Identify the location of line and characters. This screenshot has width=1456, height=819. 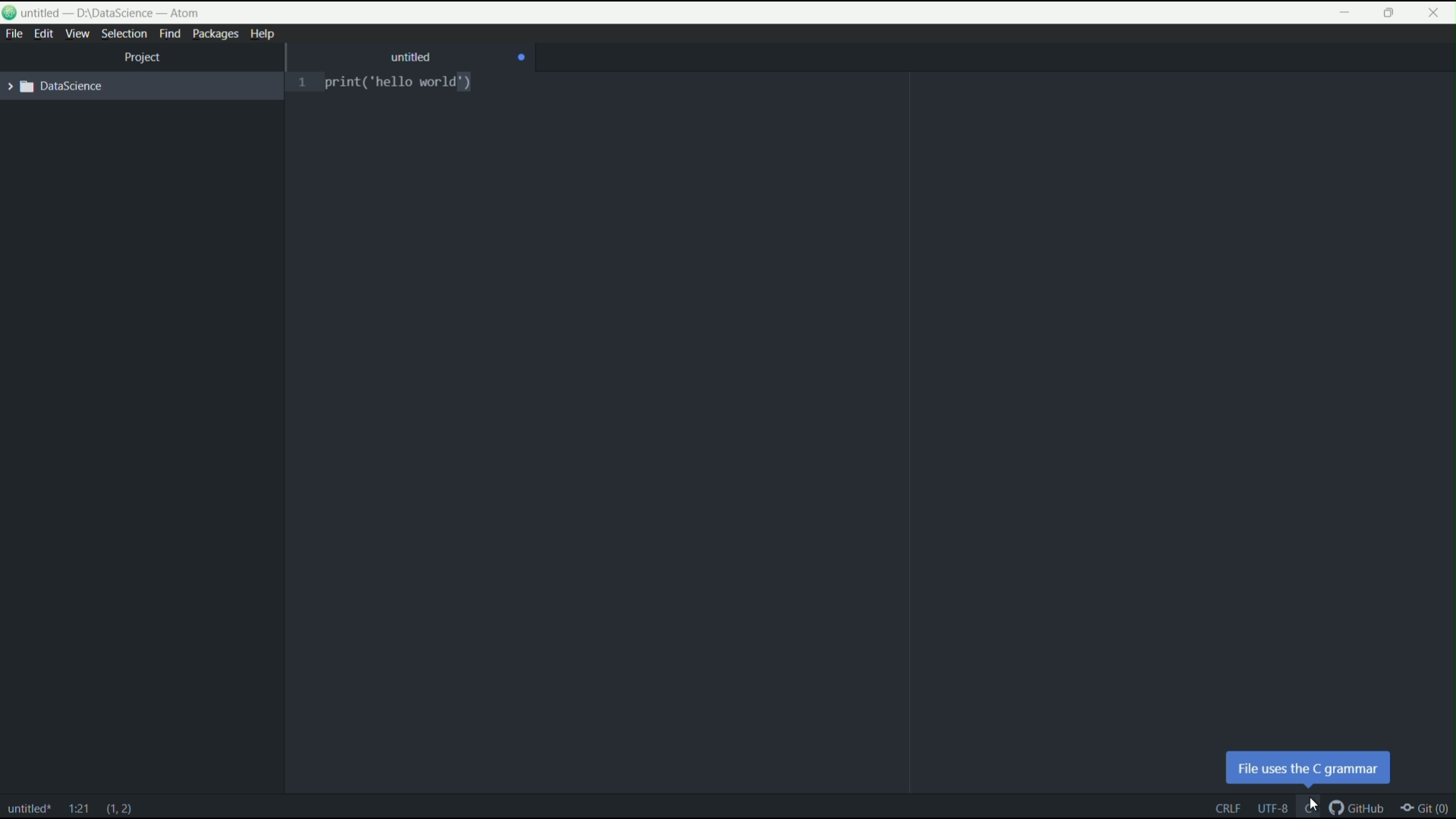
(120, 810).